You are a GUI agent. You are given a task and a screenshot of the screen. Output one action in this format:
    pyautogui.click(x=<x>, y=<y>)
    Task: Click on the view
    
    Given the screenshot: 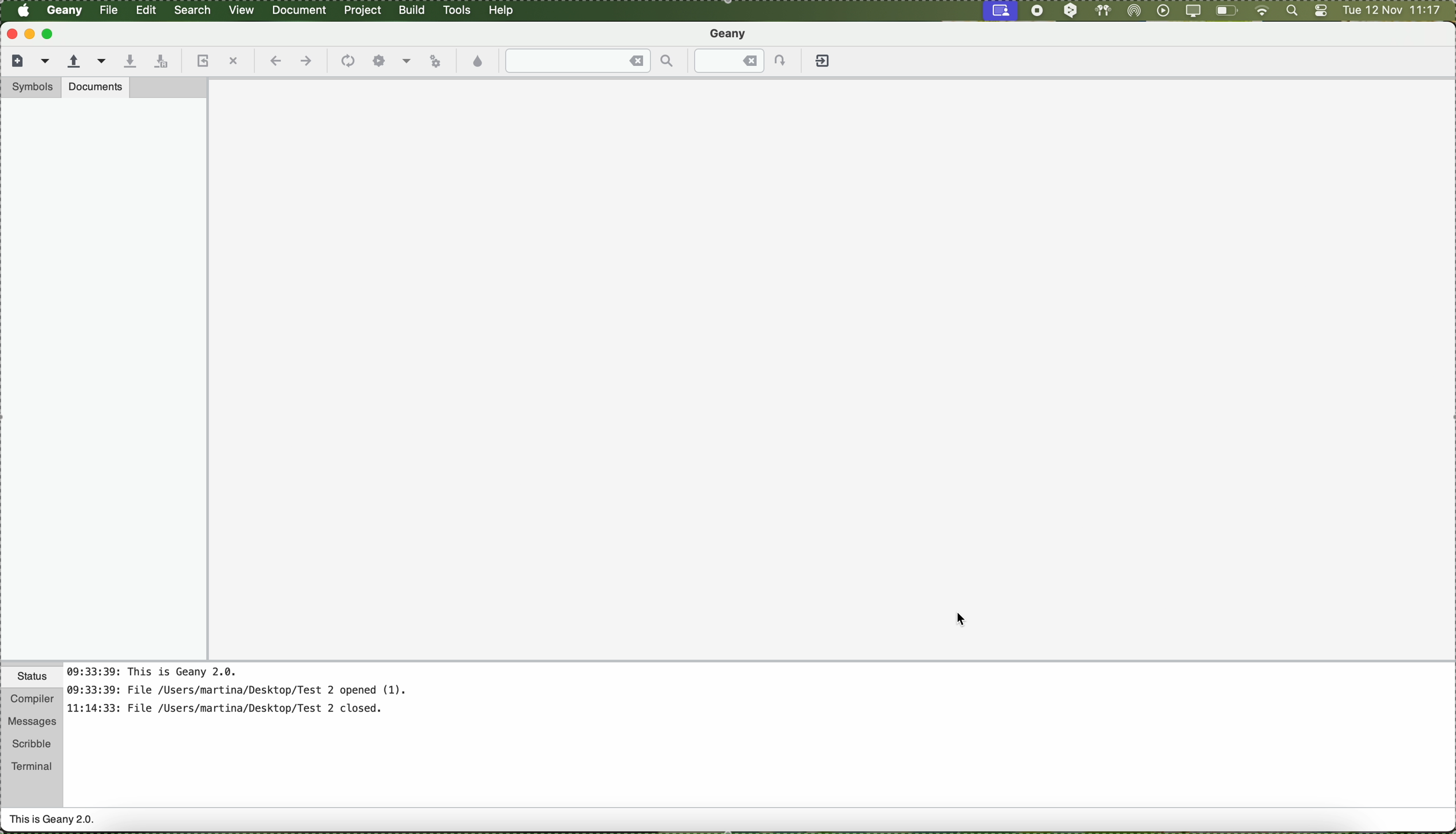 What is the action you would take?
    pyautogui.click(x=242, y=9)
    